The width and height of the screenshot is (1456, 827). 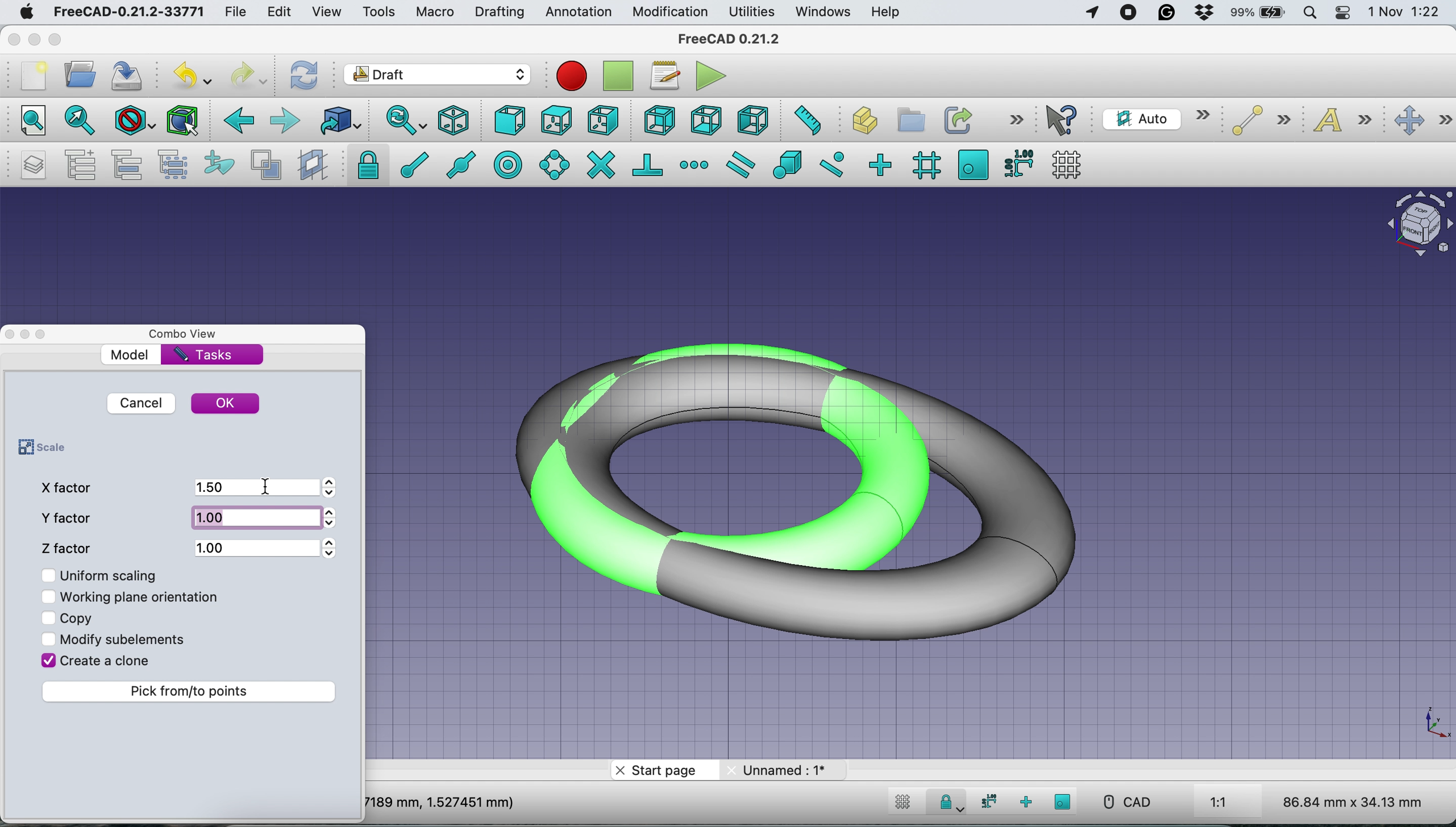 I want to click on snap parallel, so click(x=744, y=164).